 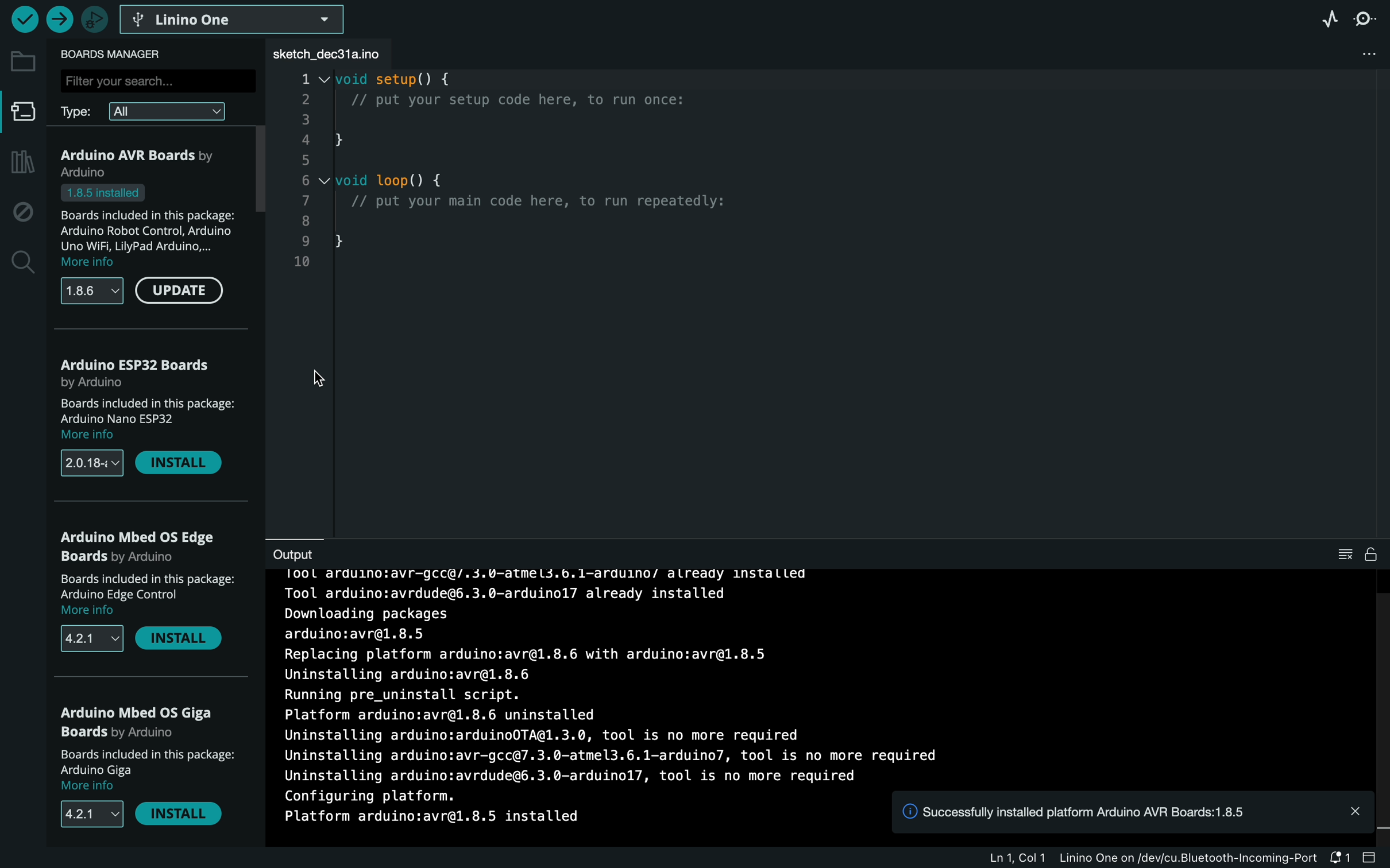 I want to click on library manager, so click(x=20, y=163).